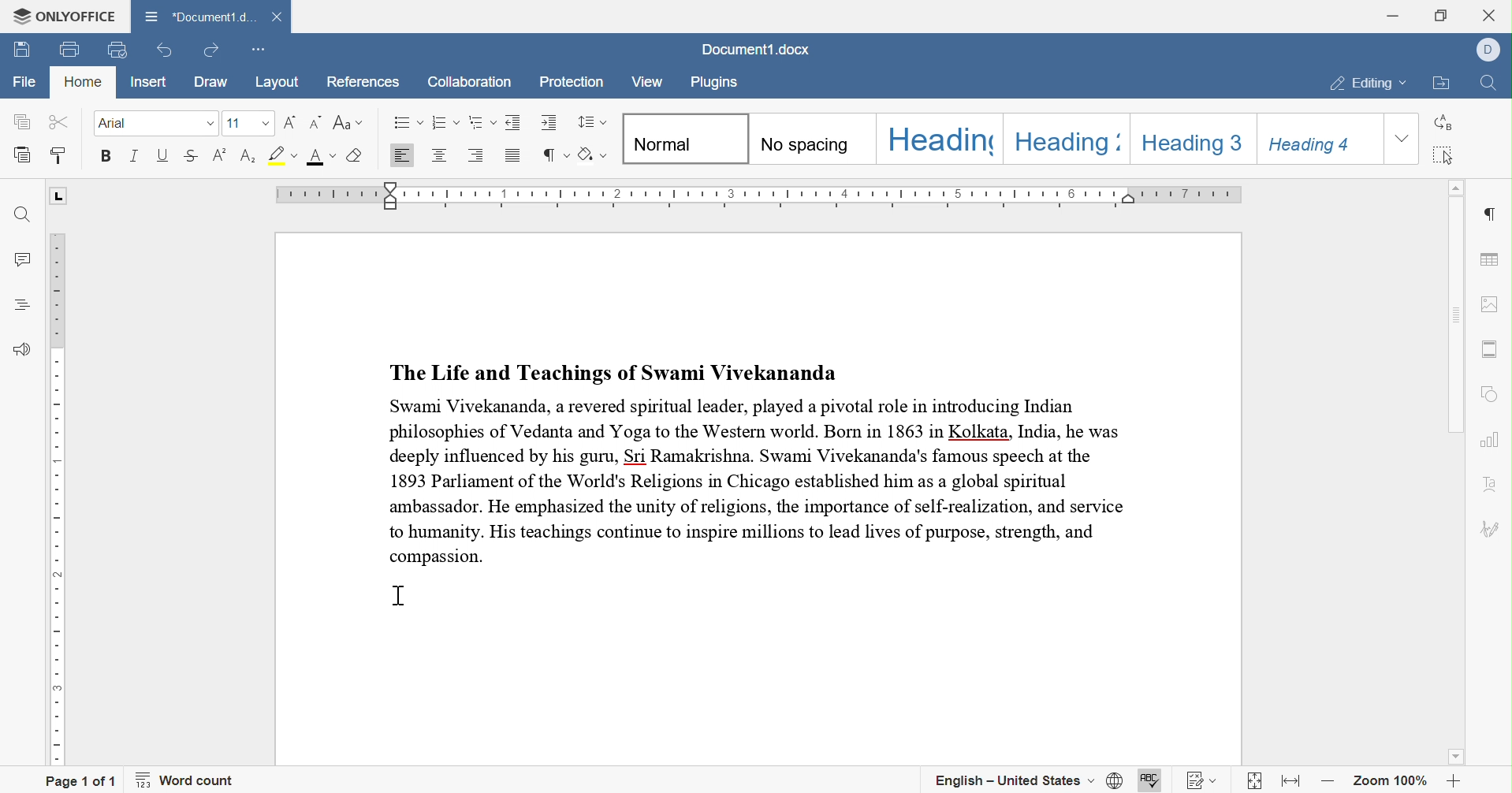 Image resolution: width=1512 pixels, height=793 pixels. Describe the element at coordinates (22, 215) in the screenshot. I see `find` at that location.